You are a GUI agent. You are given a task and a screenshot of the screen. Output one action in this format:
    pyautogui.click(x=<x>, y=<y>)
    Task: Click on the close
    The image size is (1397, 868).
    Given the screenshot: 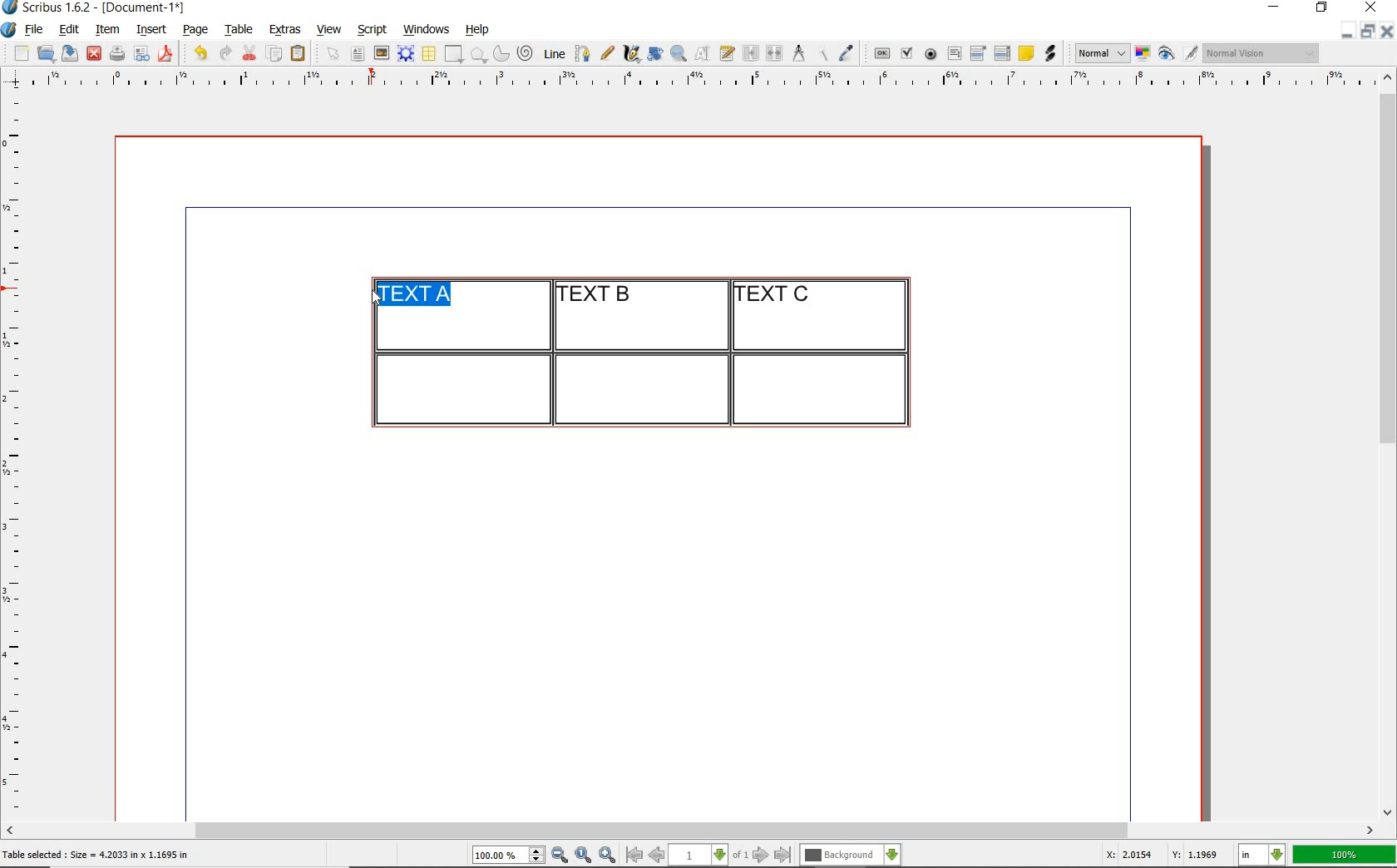 What is the action you would take?
    pyautogui.click(x=1387, y=31)
    